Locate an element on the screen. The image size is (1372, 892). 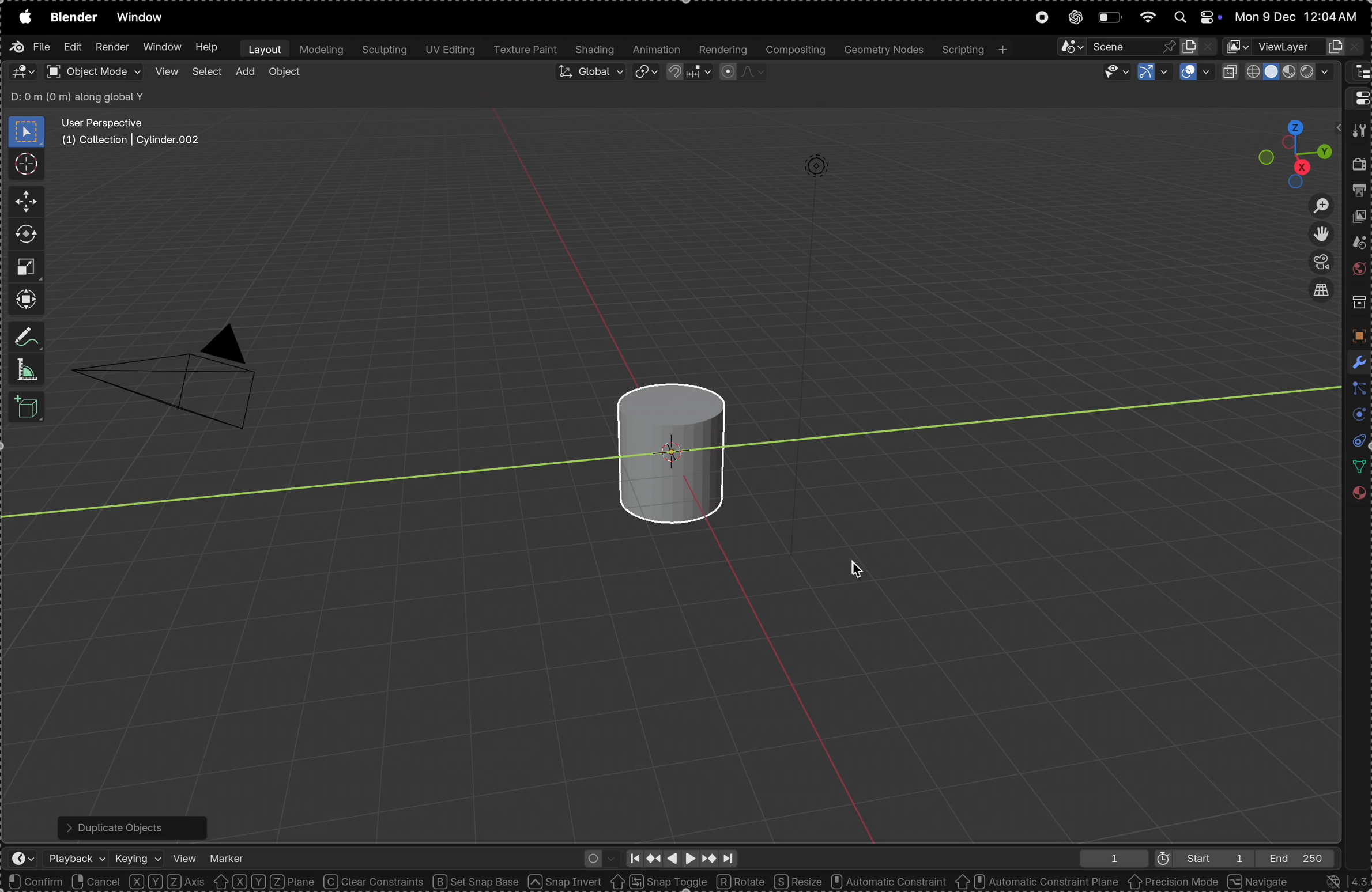
render is located at coordinates (112, 47).